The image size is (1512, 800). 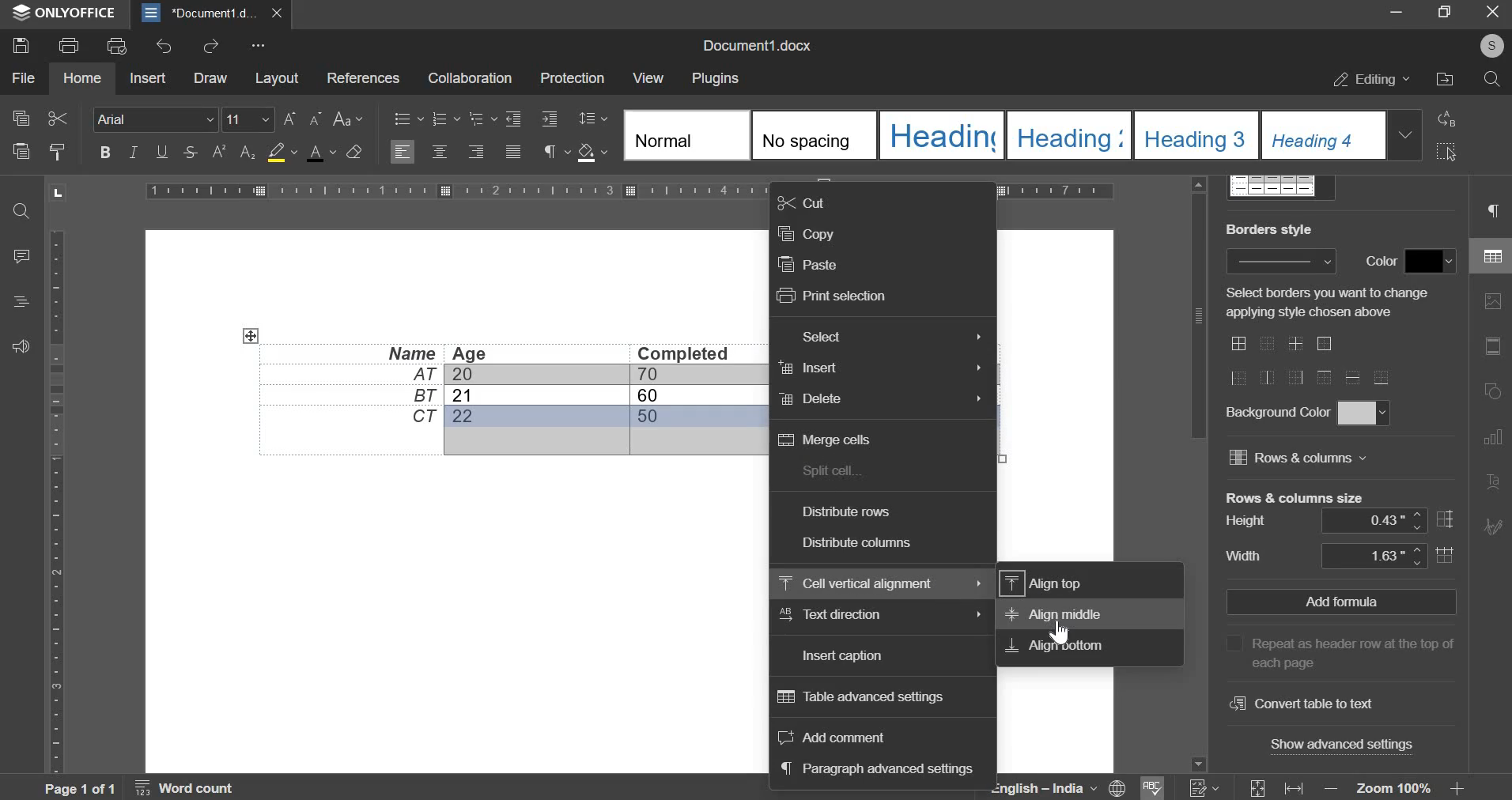 I want to click on onlyoffice, so click(x=75, y=12).